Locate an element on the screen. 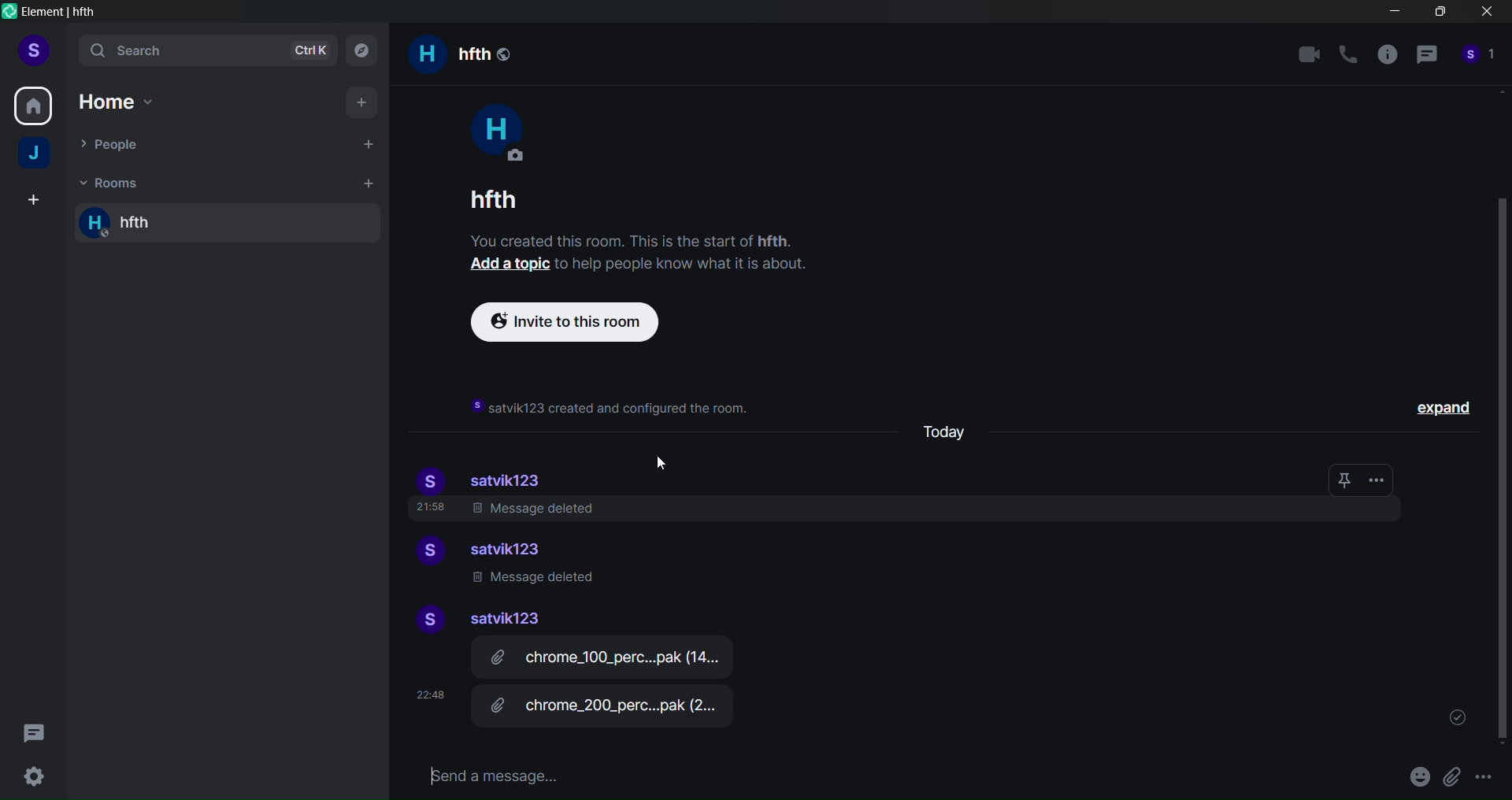 The image size is (1512, 800). sent is located at coordinates (1802, 673).